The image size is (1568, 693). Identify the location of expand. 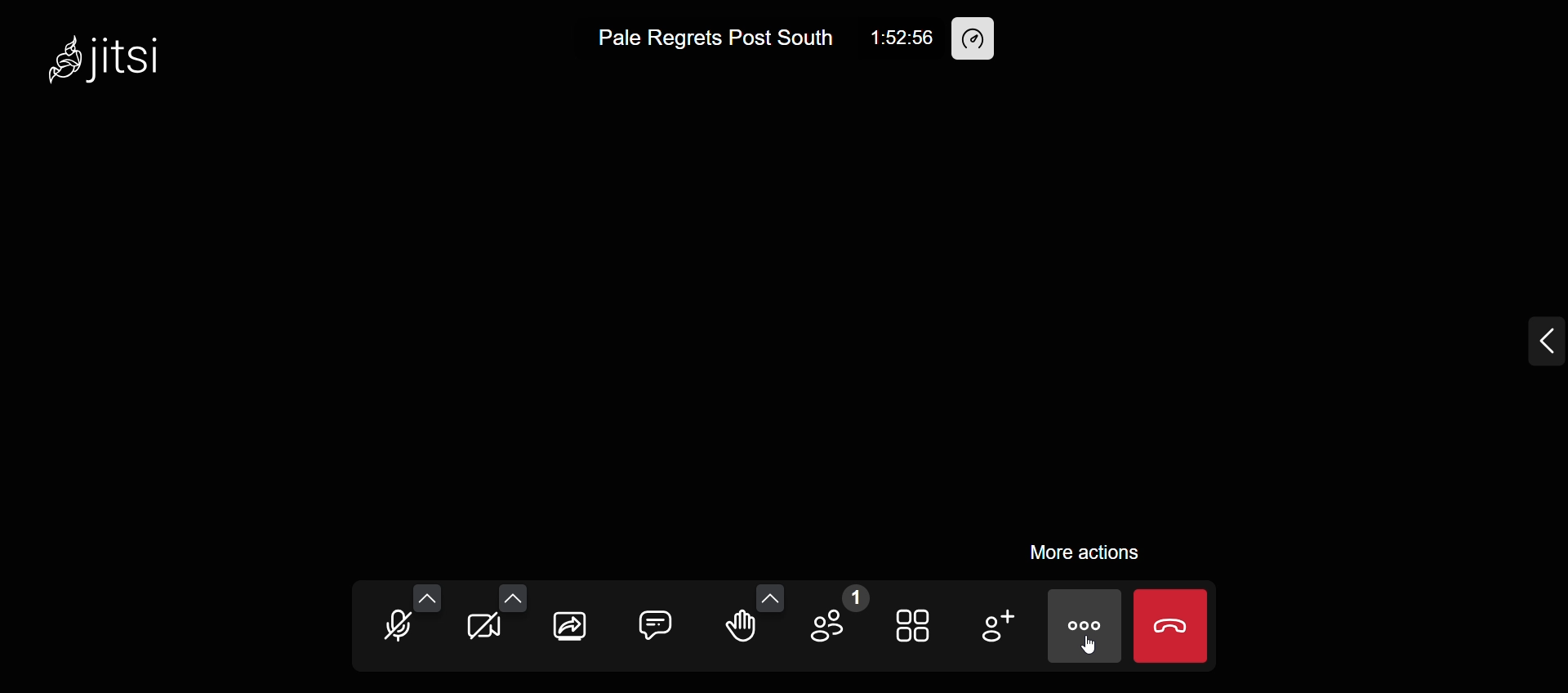
(1518, 337).